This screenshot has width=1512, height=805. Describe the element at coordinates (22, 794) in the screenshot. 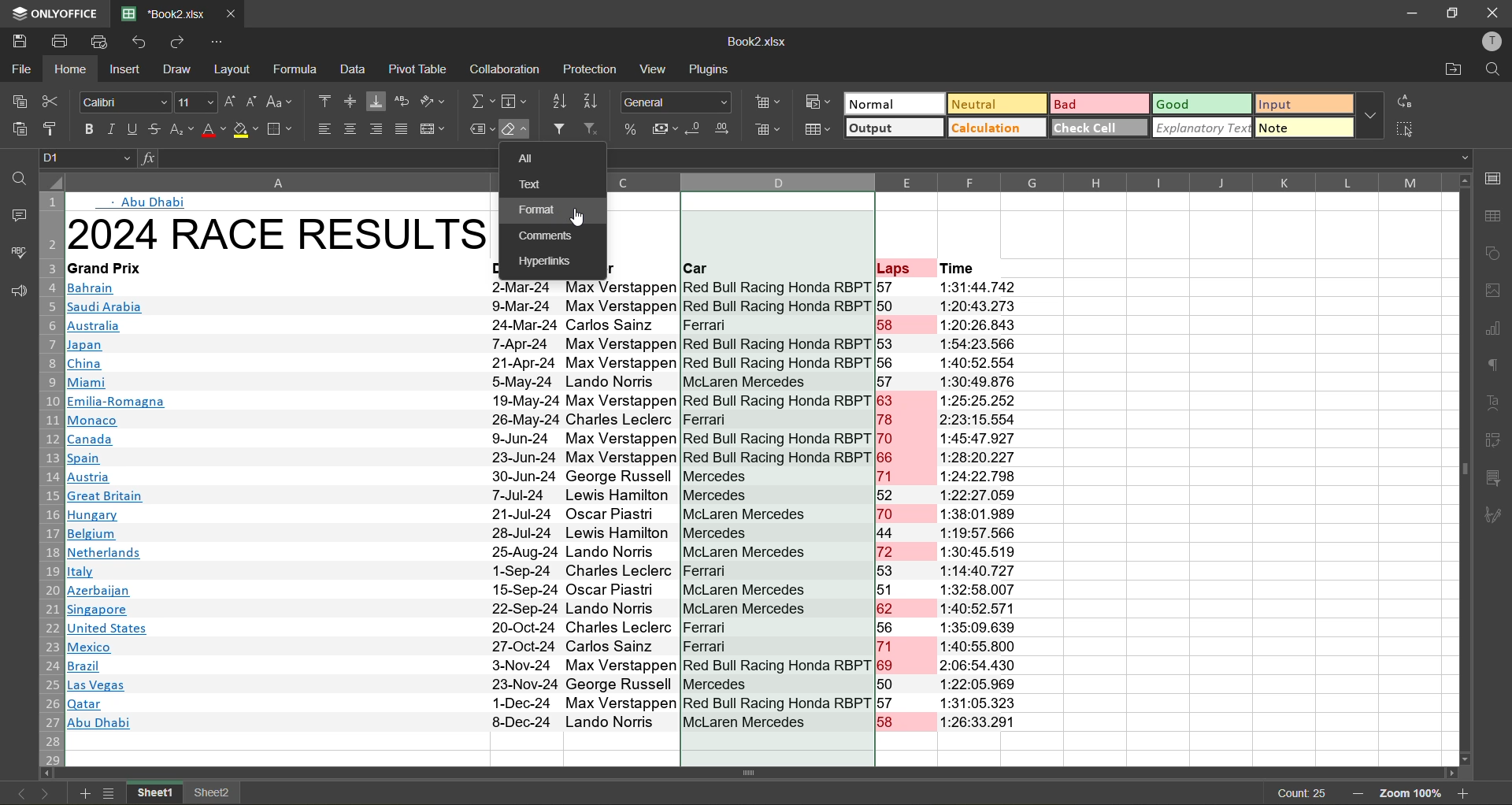

I see `previous` at that location.